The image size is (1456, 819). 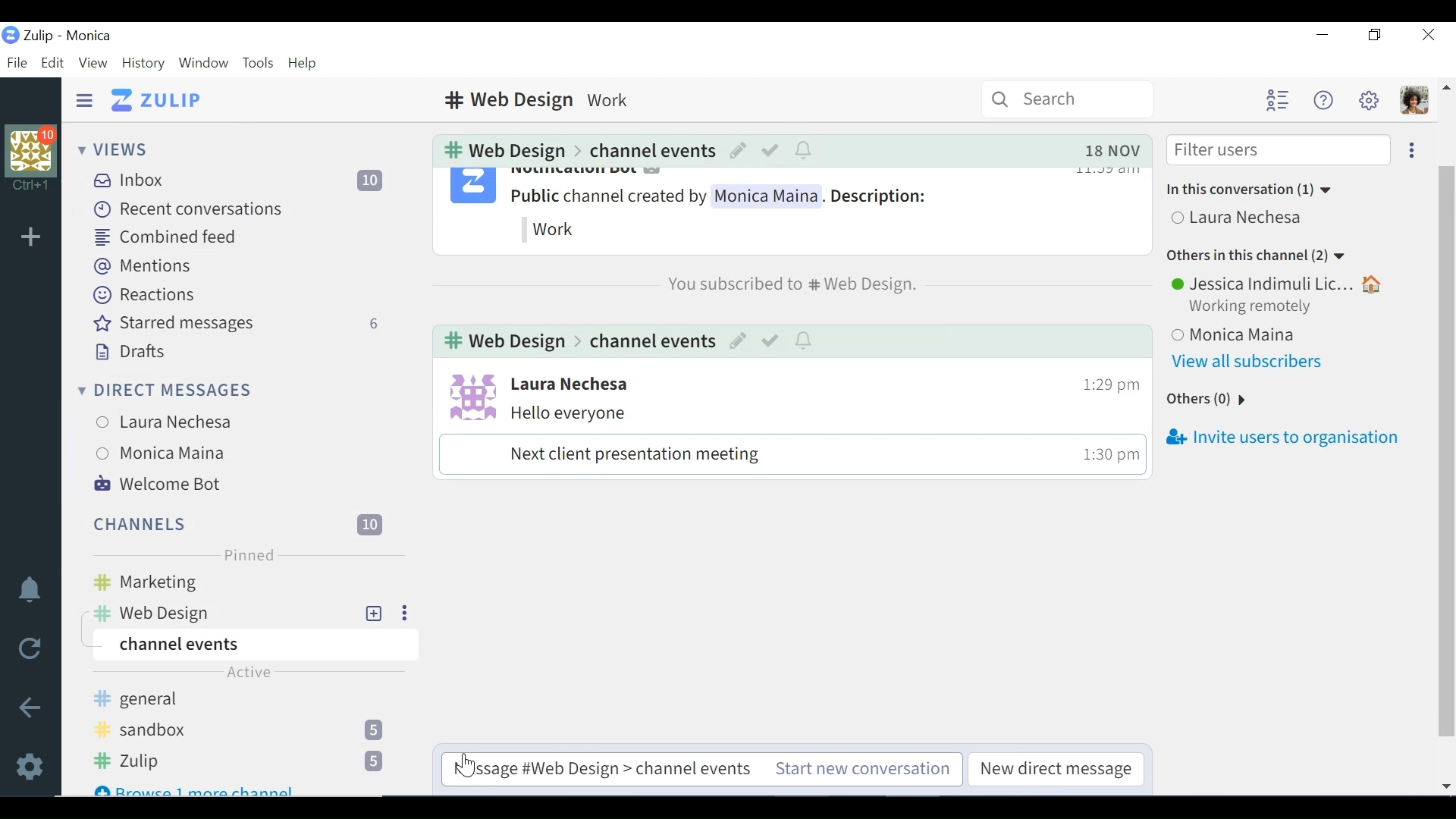 I want to click on Hide Sidebar, so click(x=84, y=99).